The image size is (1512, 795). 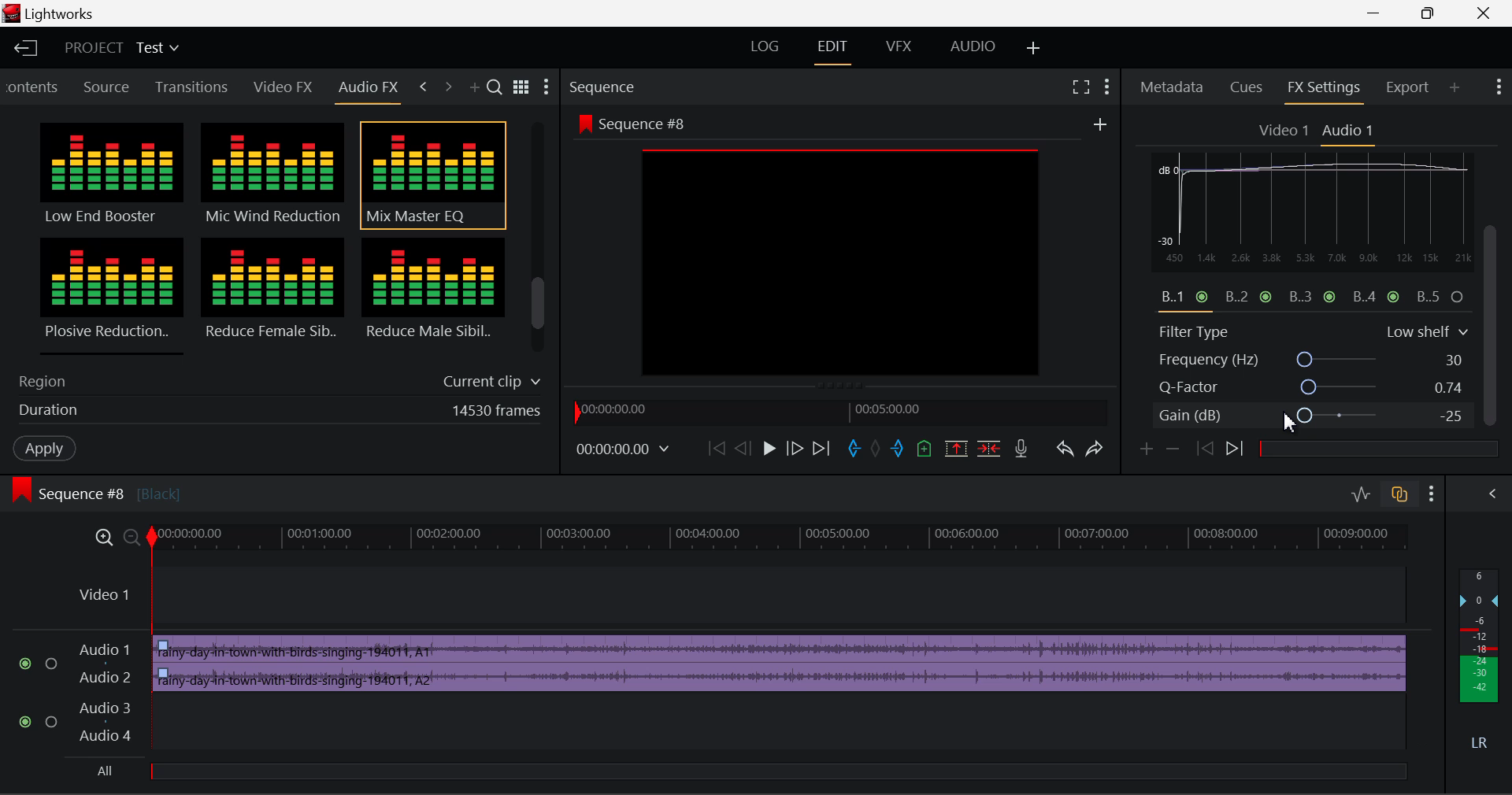 I want to click on Export, so click(x=1408, y=87).